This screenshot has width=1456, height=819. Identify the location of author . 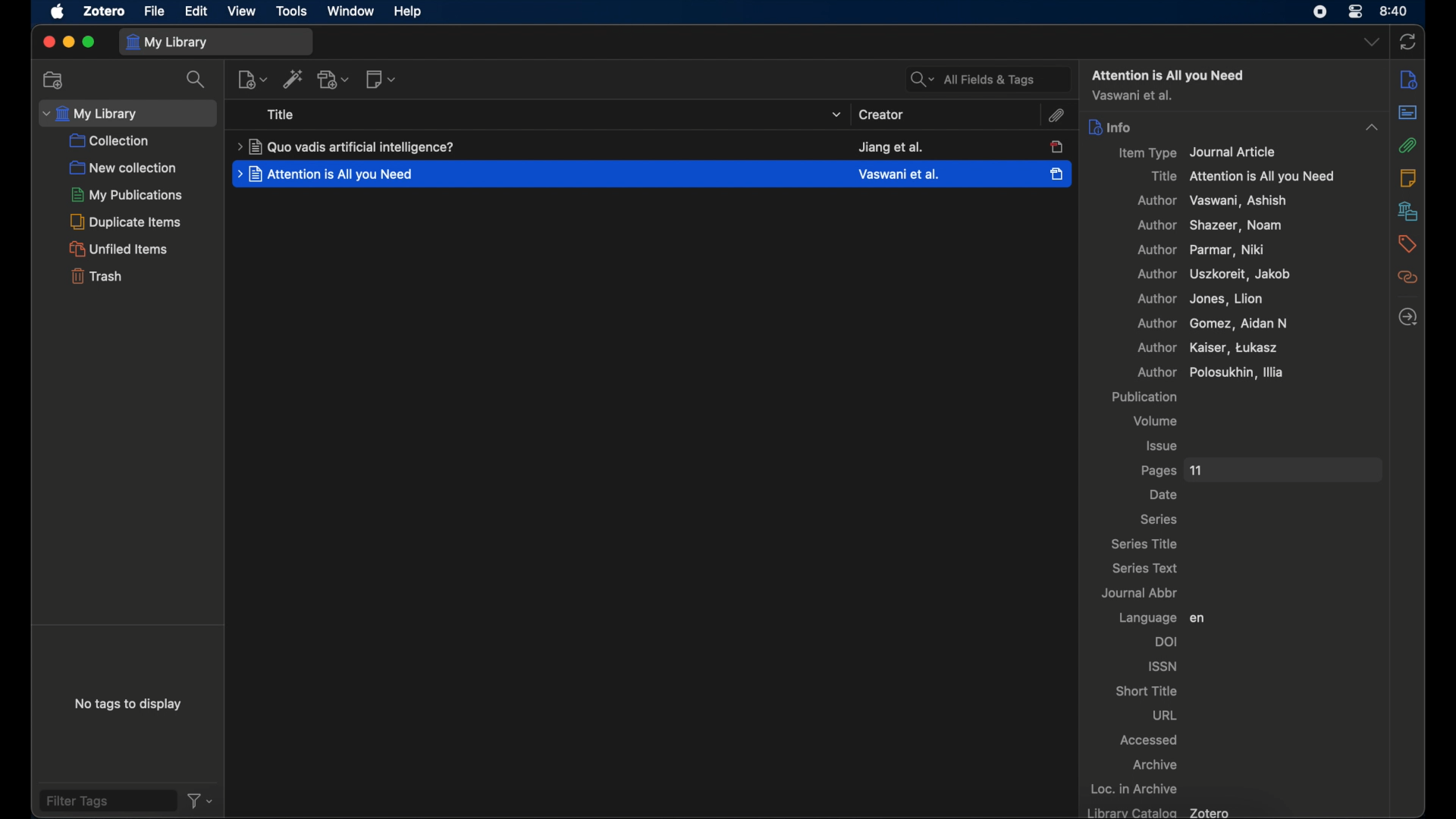
(1133, 96).